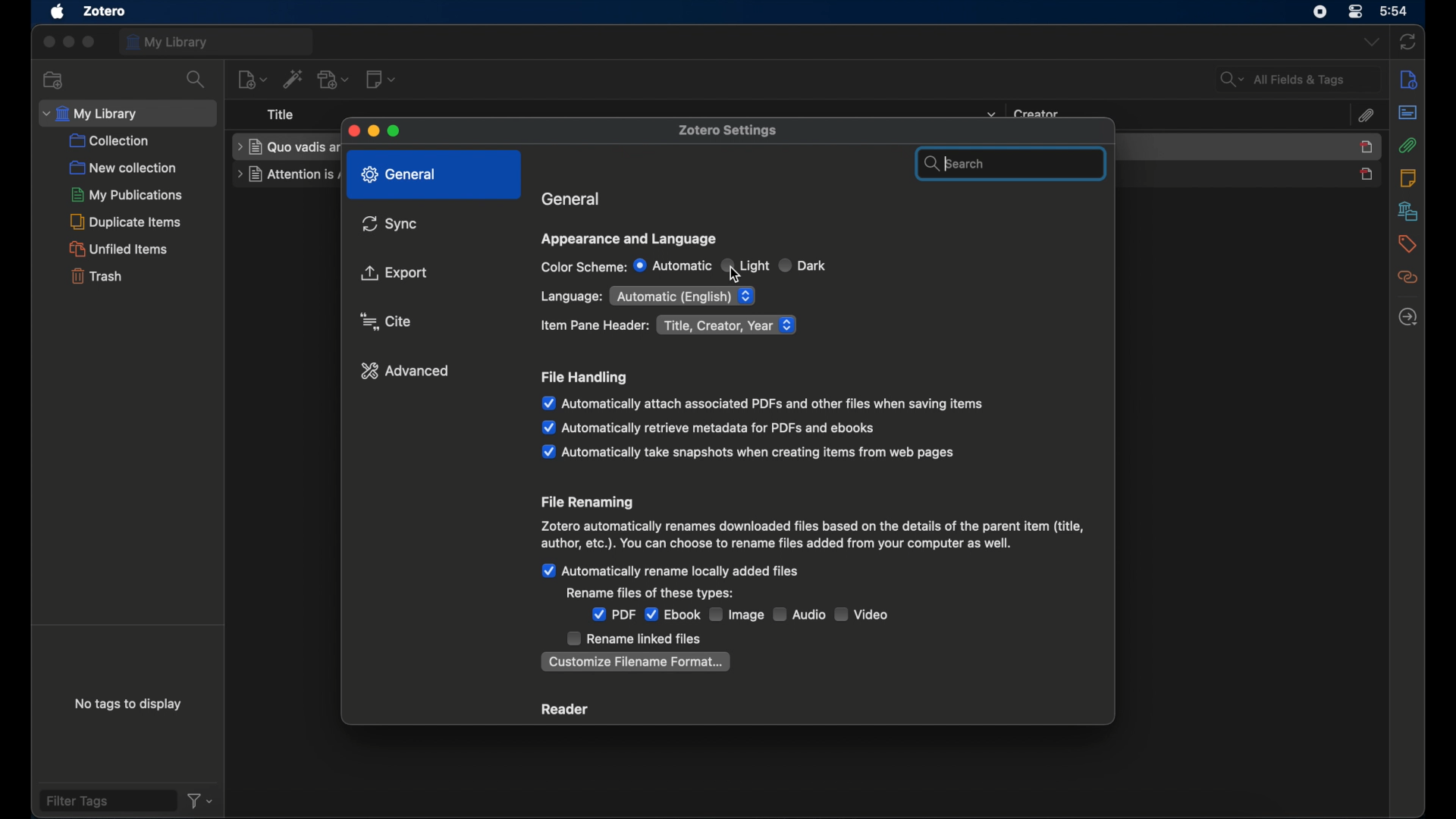 This screenshot has height=819, width=1456. What do you see at coordinates (566, 709) in the screenshot?
I see `reader` at bounding box center [566, 709].